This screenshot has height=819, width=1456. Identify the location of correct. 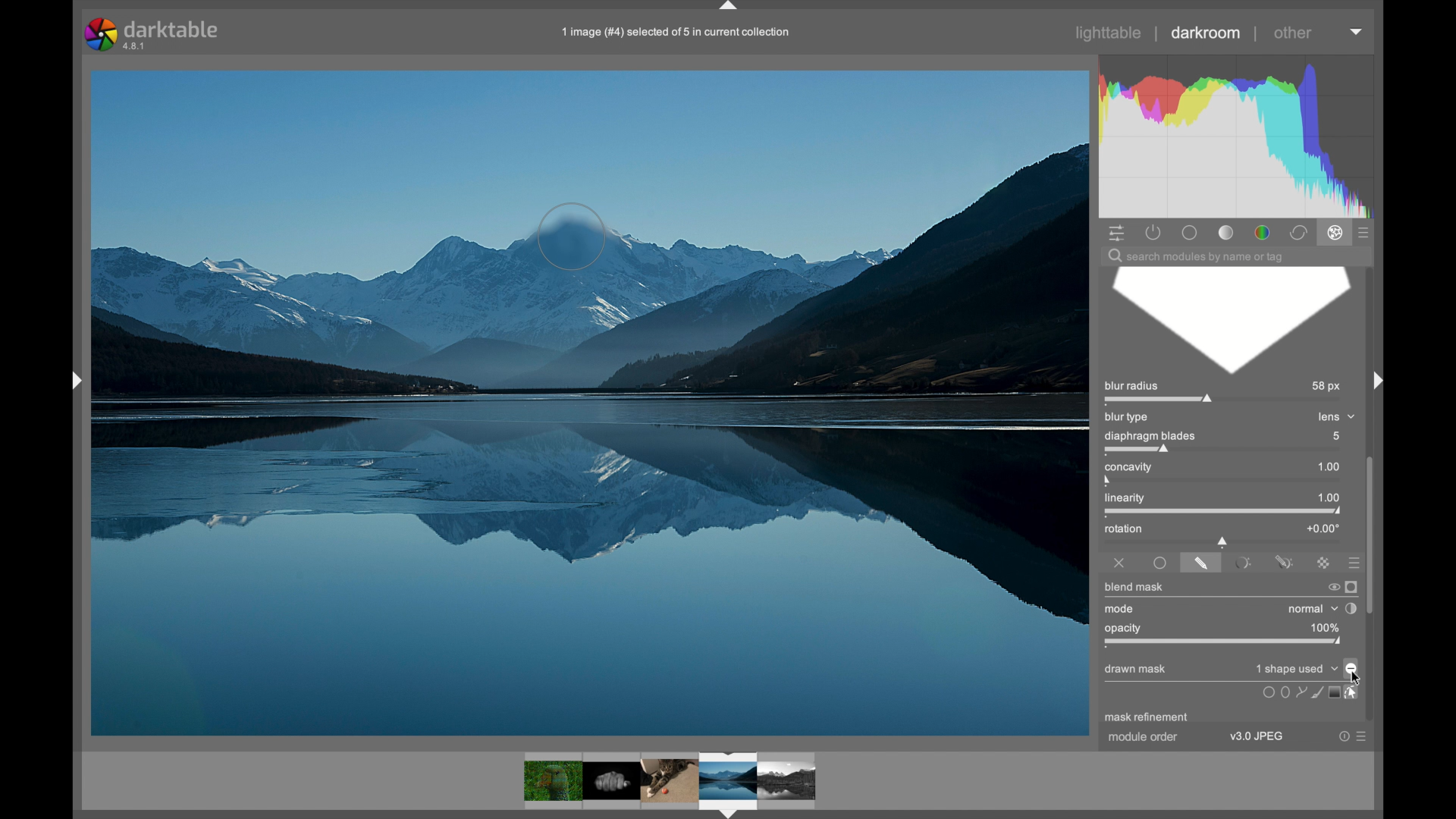
(1298, 233).